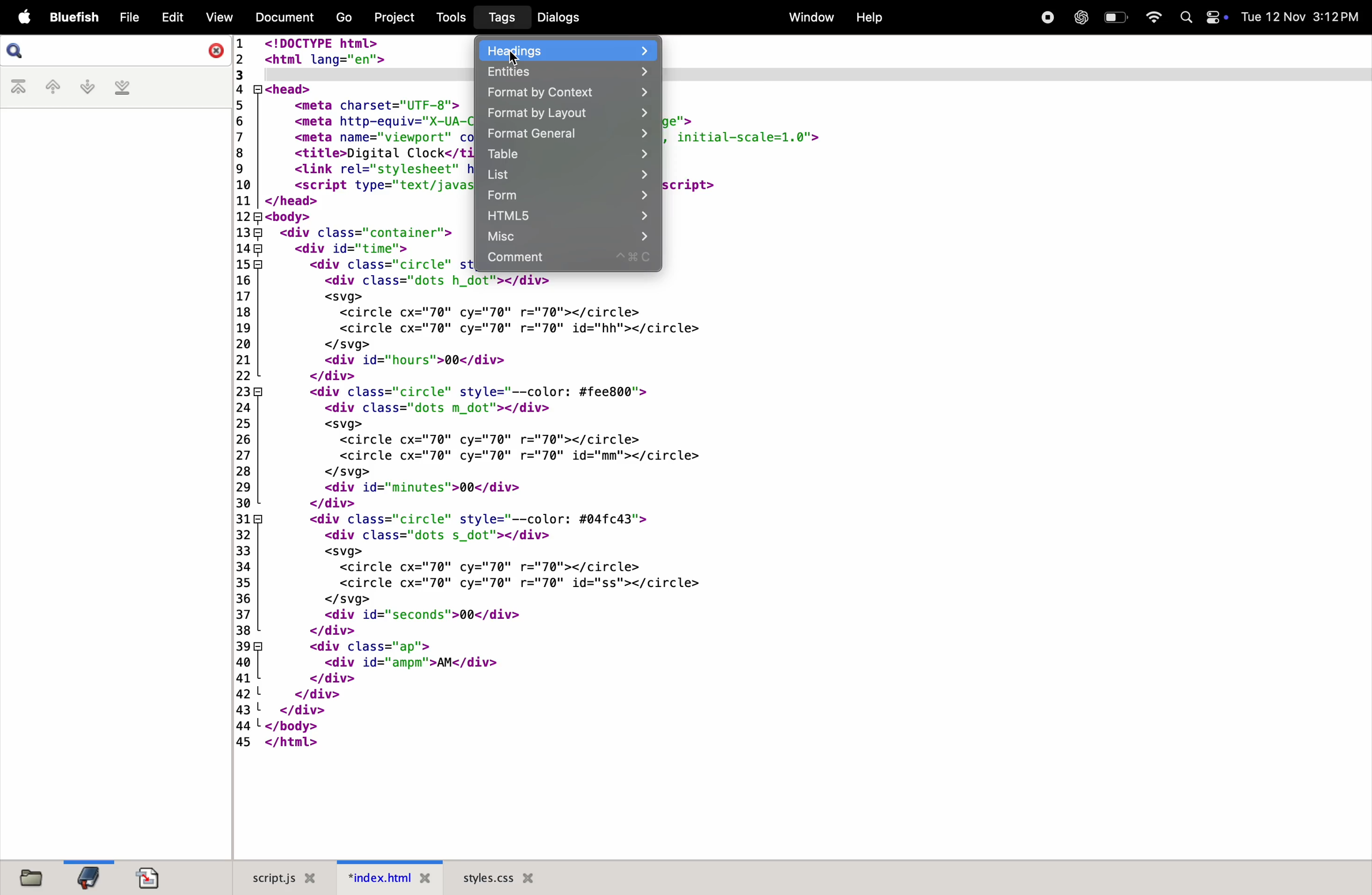 Image resolution: width=1372 pixels, height=895 pixels. I want to click on document, so click(281, 16).